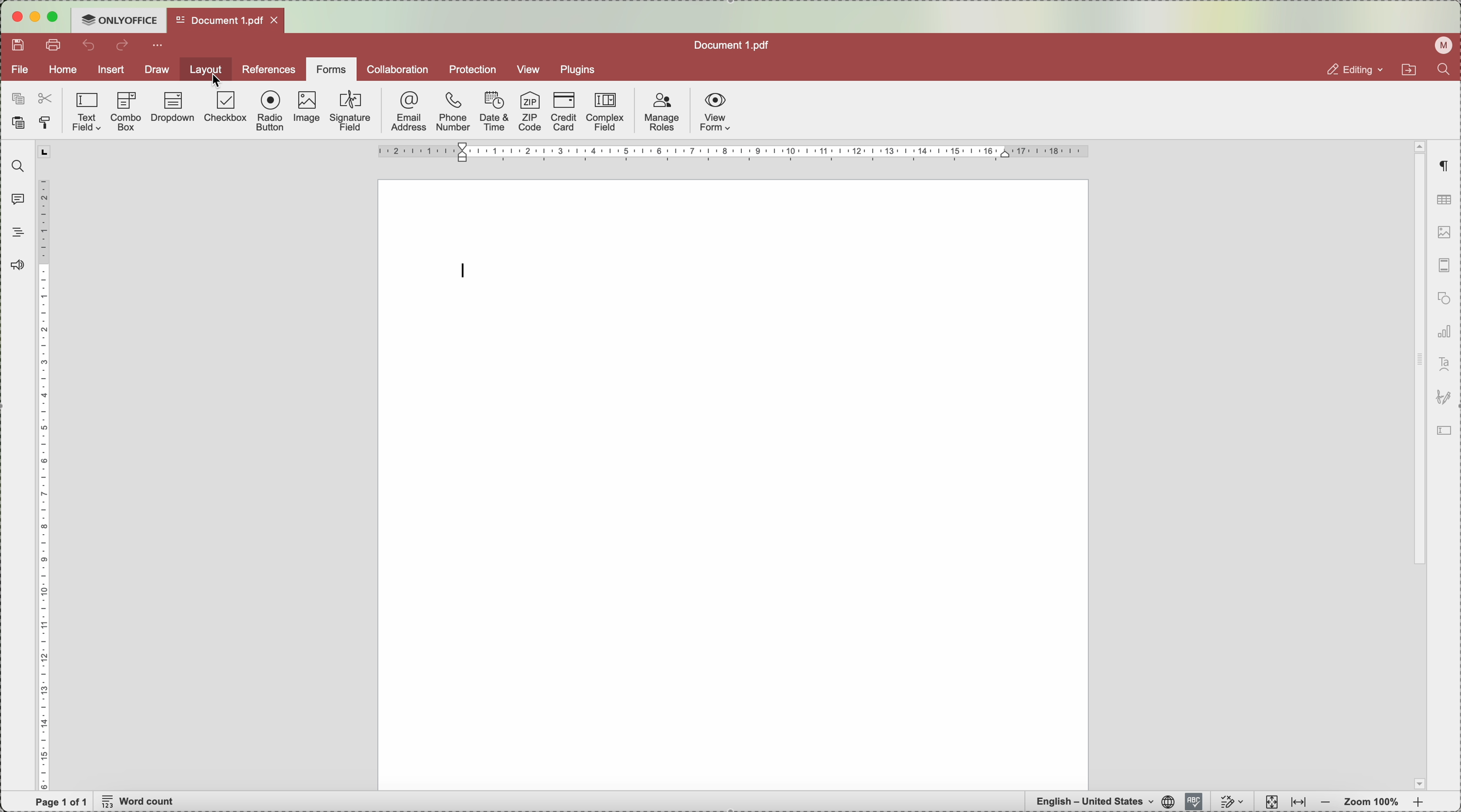 The image size is (1461, 812). What do you see at coordinates (581, 69) in the screenshot?
I see `plugins` at bounding box center [581, 69].